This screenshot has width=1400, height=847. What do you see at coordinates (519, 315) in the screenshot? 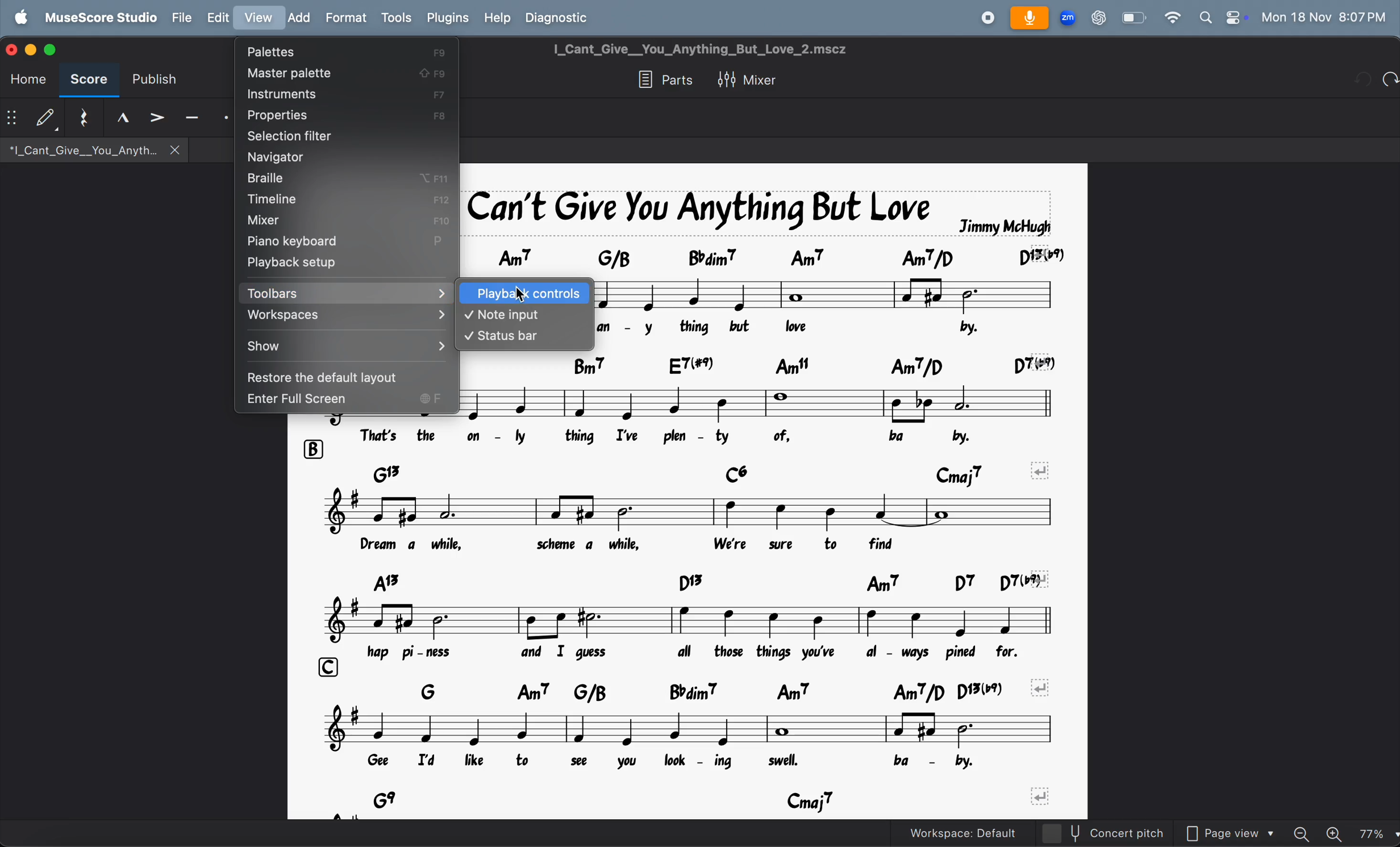
I see `note input` at bounding box center [519, 315].